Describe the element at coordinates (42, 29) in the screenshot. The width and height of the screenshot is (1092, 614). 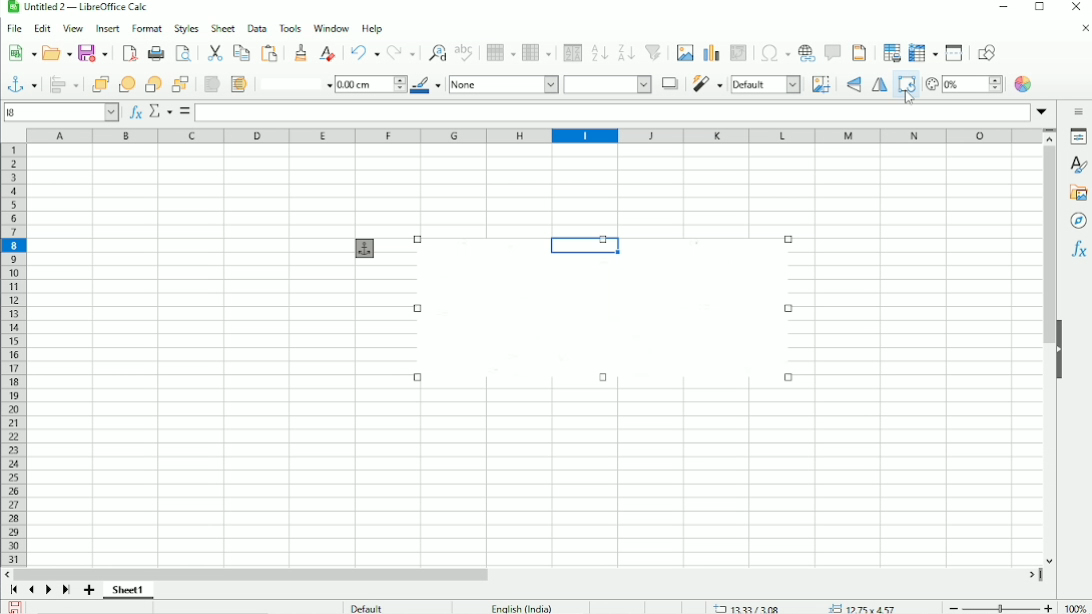
I see `Edit` at that location.